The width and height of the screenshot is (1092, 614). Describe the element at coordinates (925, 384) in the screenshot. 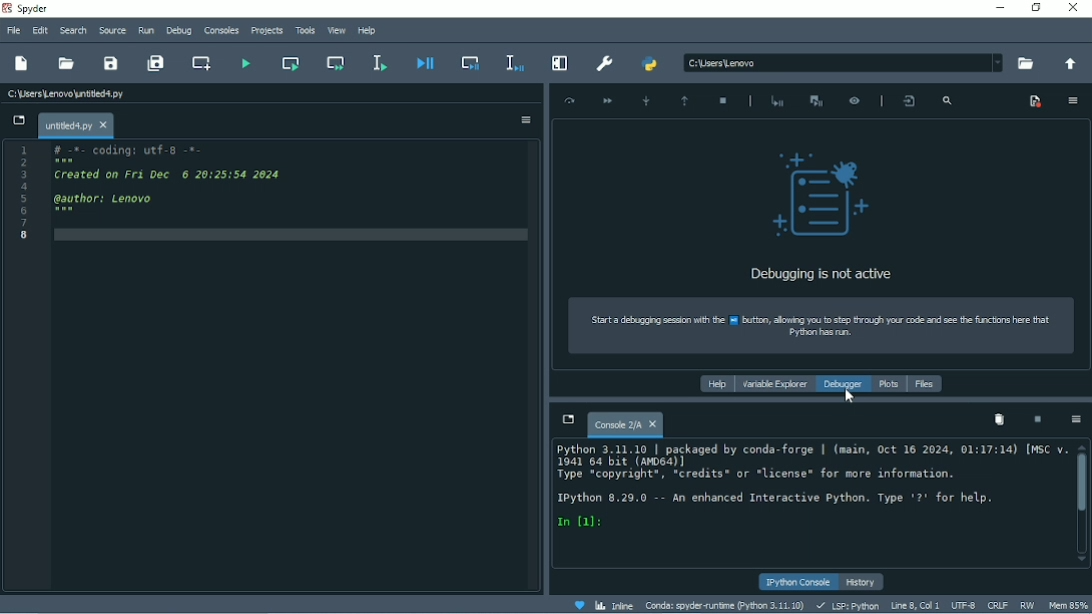

I see `Files` at that location.